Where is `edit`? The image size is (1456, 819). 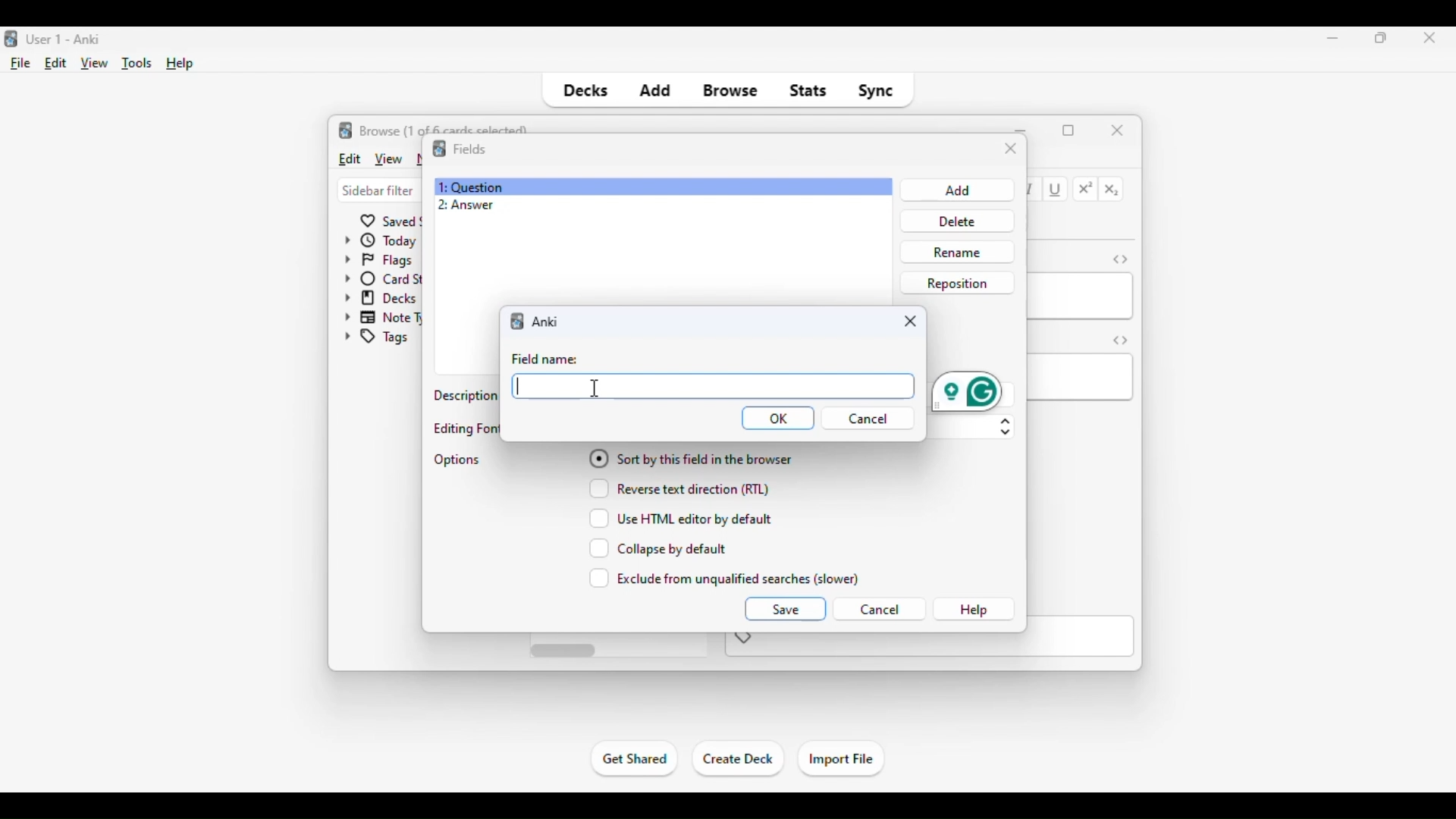
edit is located at coordinates (56, 63).